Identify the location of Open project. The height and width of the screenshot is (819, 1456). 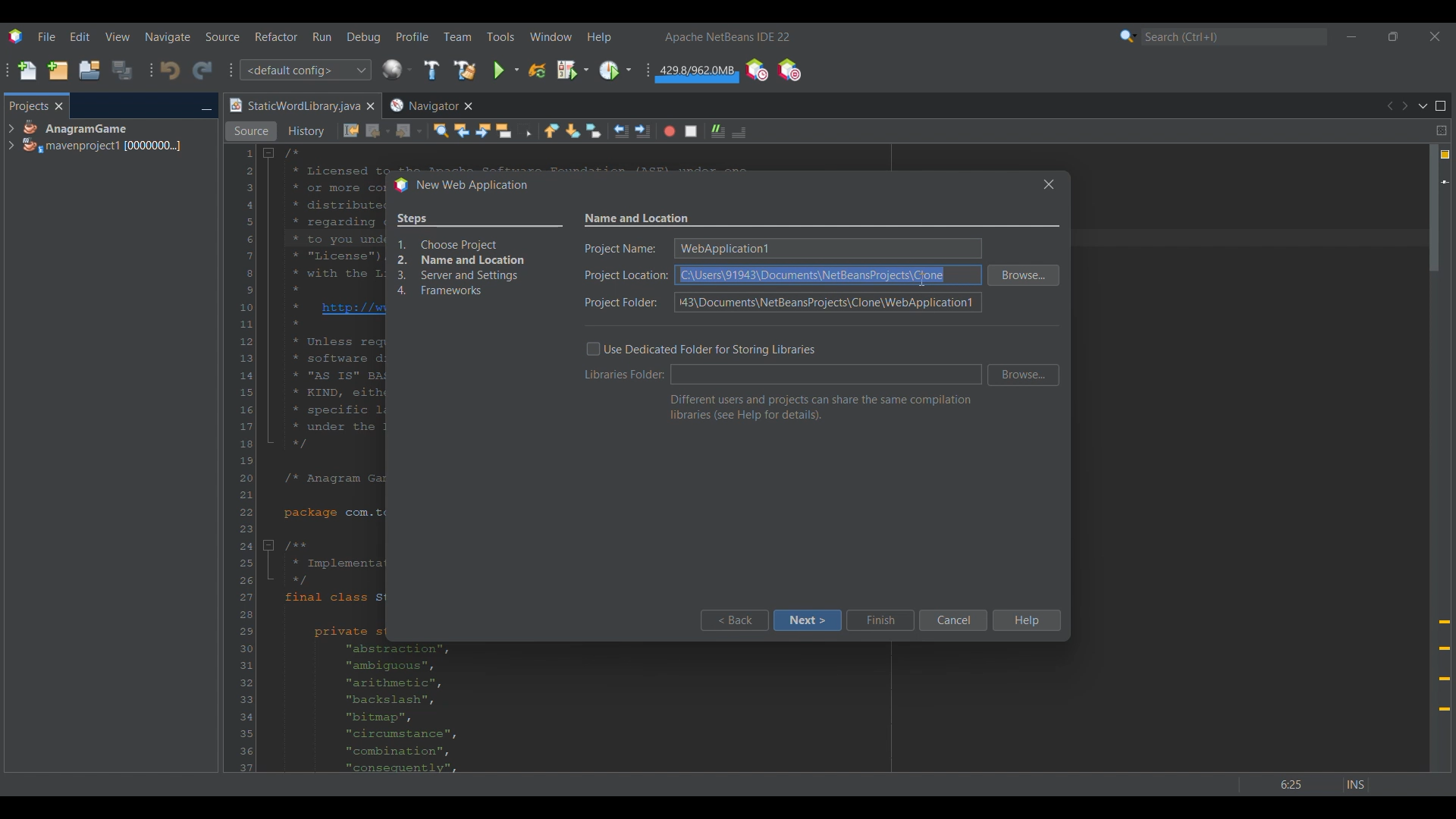
(89, 70).